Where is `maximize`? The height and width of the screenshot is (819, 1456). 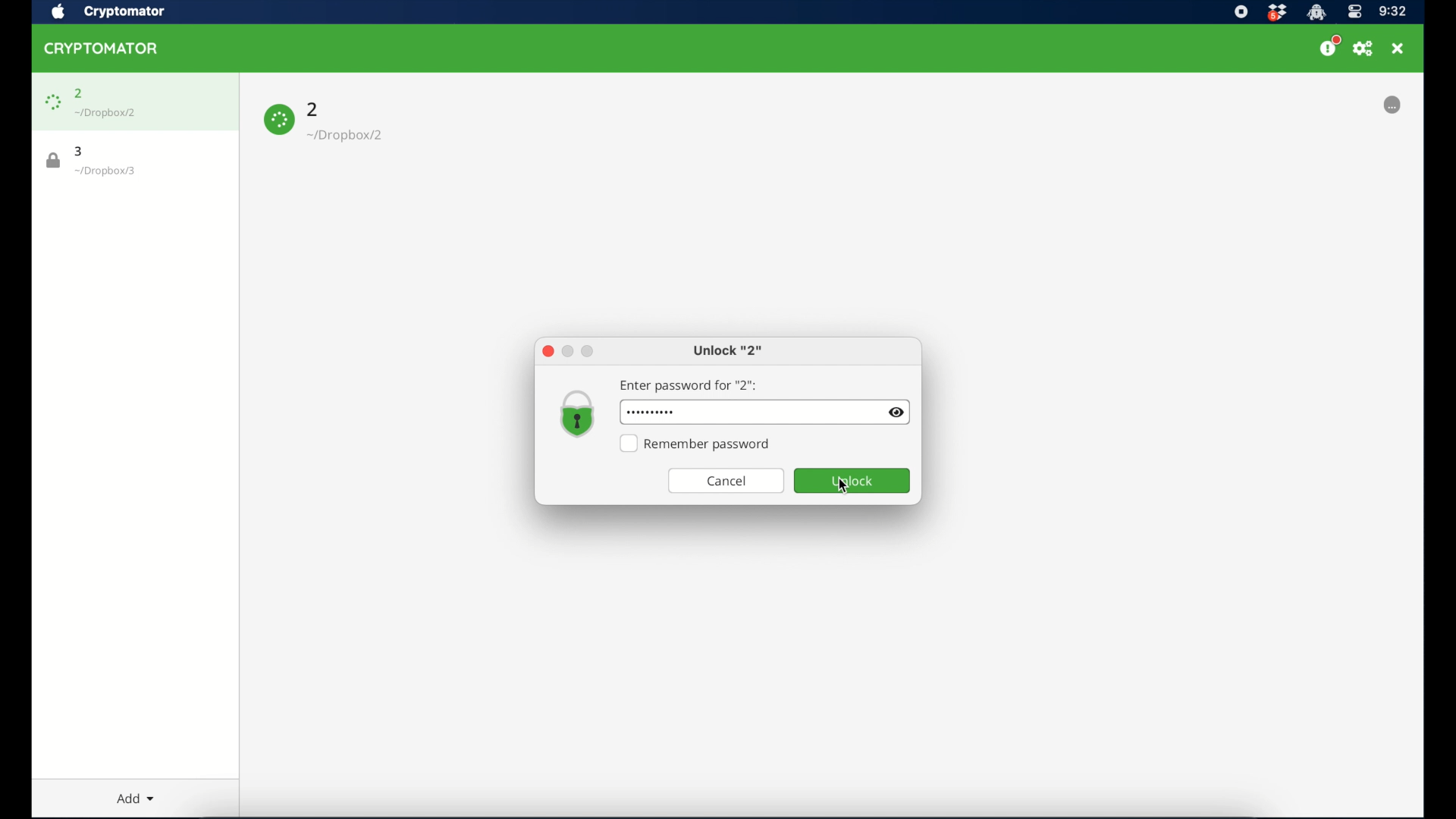 maximize is located at coordinates (588, 352).